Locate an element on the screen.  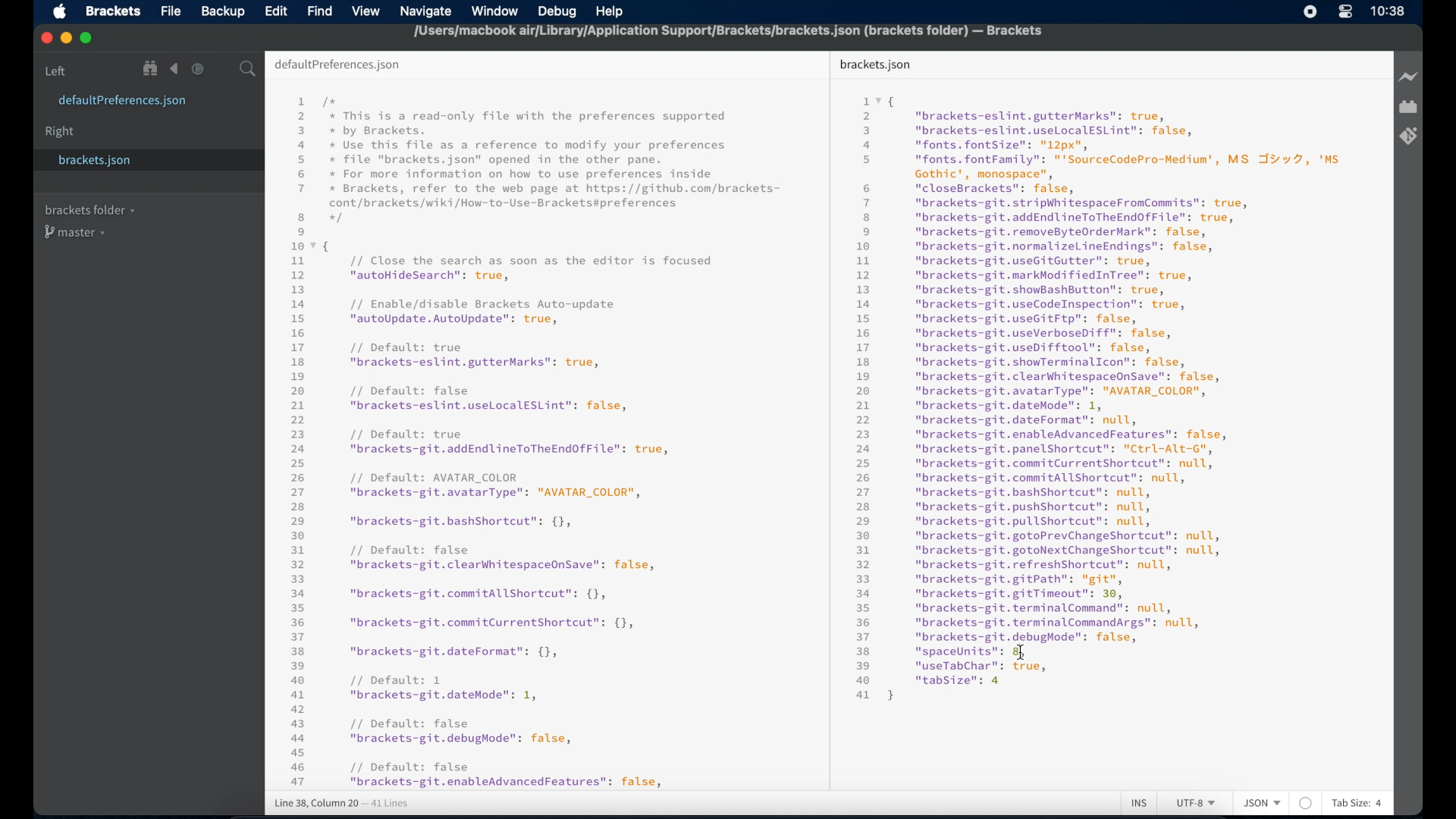
left is located at coordinates (56, 71).